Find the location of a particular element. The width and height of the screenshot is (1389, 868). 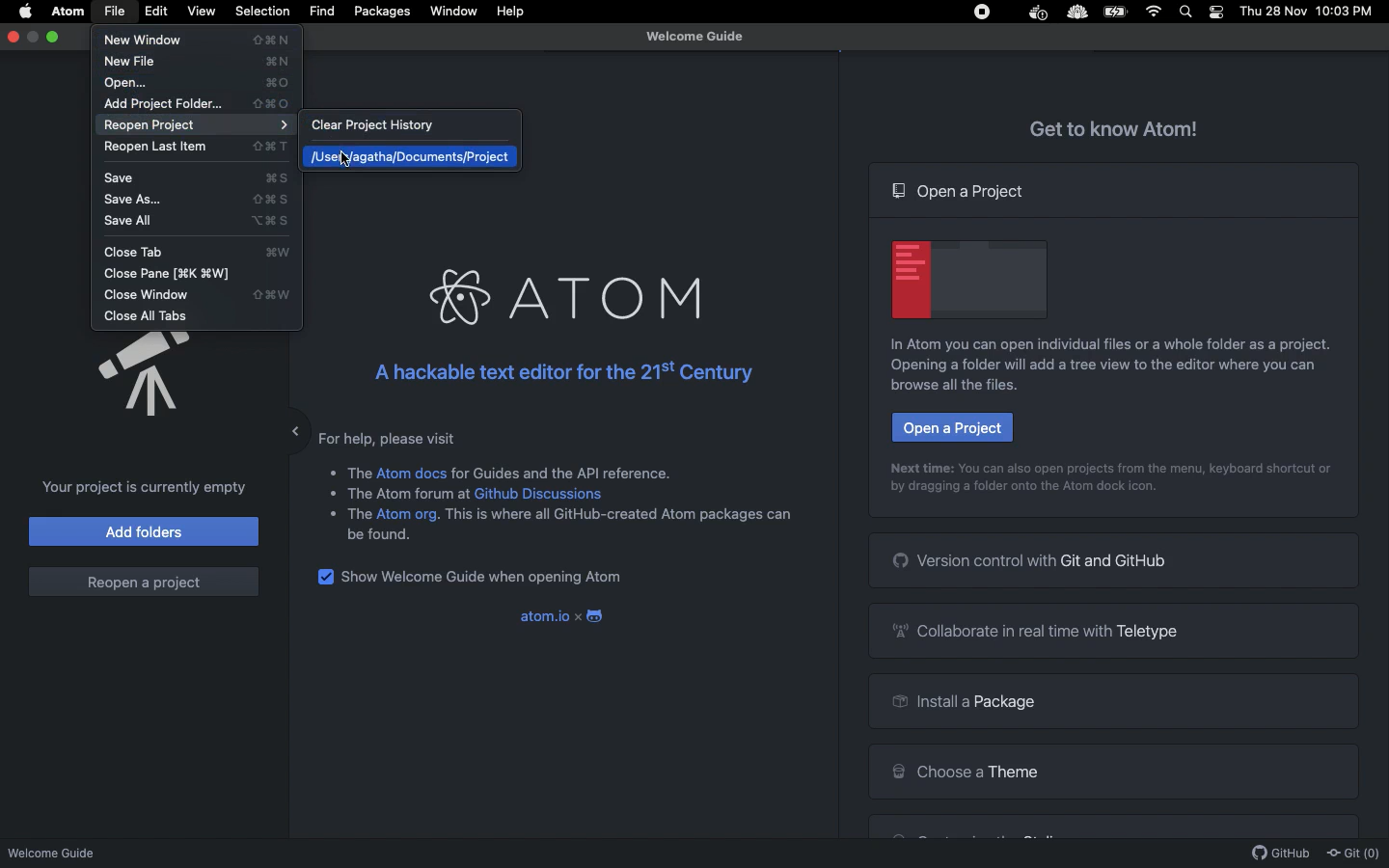

Reopen project is located at coordinates (201, 125).